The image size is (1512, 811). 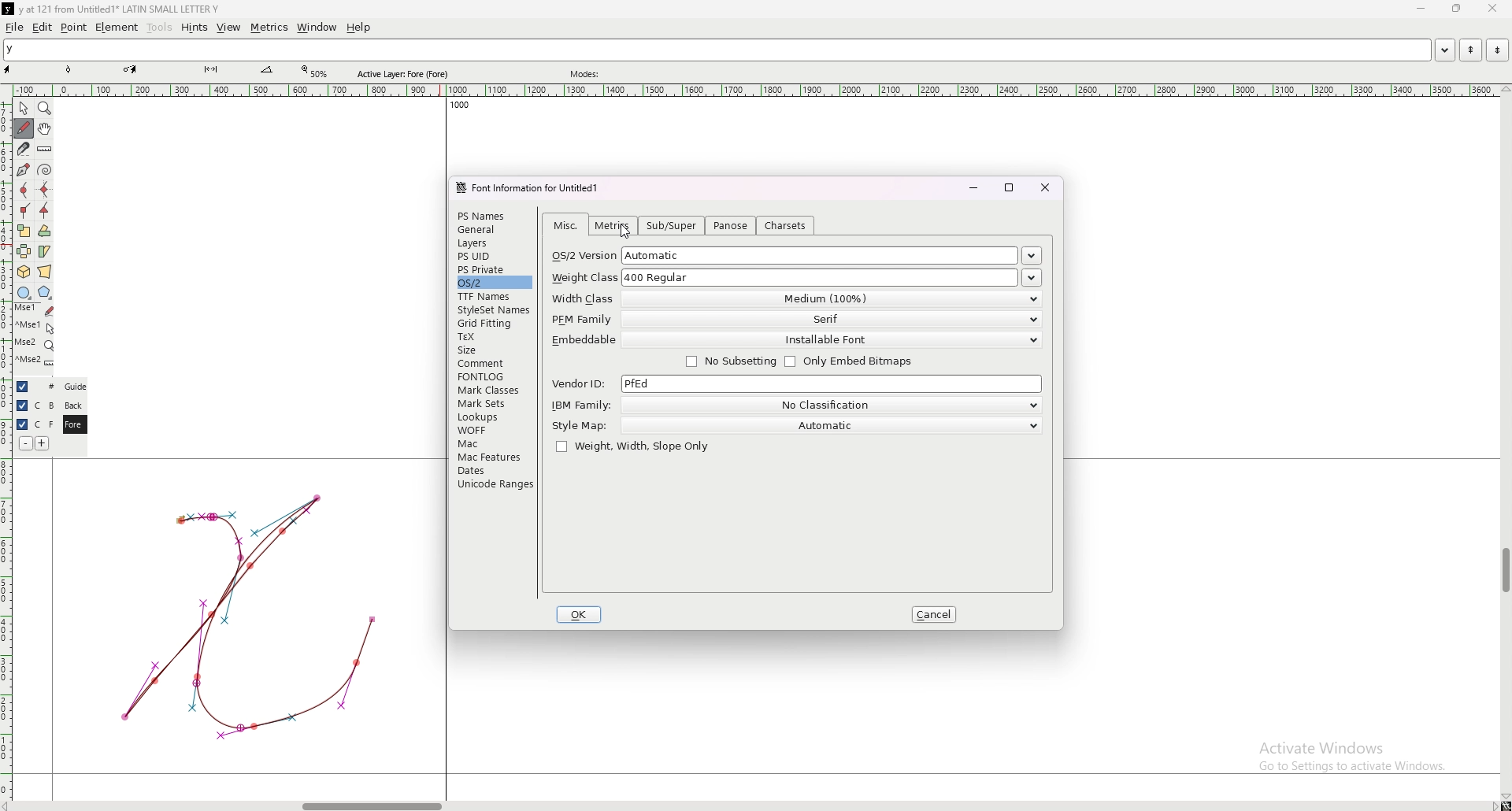 I want to click on general, so click(x=494, y=231).